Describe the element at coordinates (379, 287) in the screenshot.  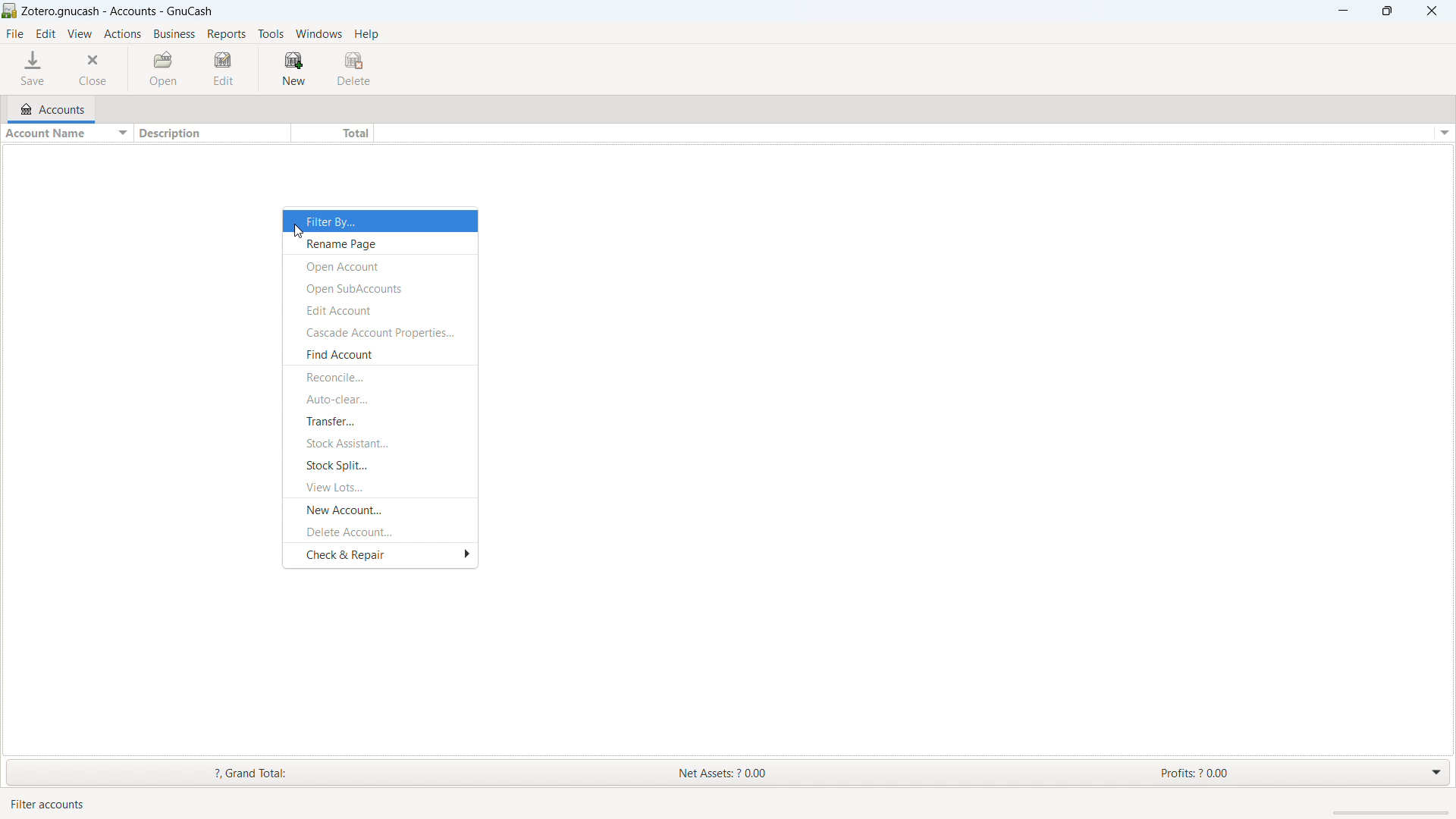
I see `open subaccounts` at that location.